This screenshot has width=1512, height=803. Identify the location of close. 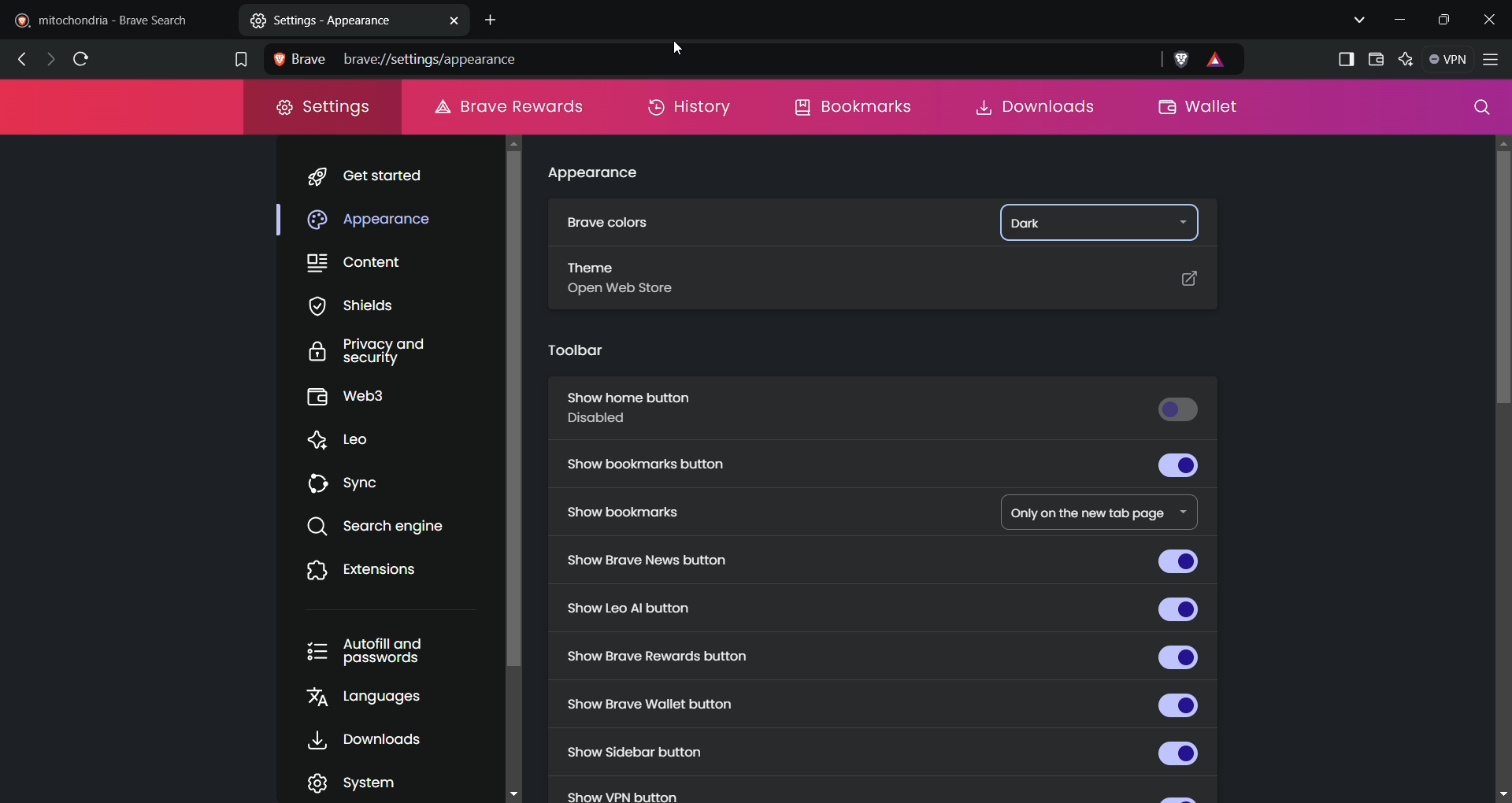
(452, 20).